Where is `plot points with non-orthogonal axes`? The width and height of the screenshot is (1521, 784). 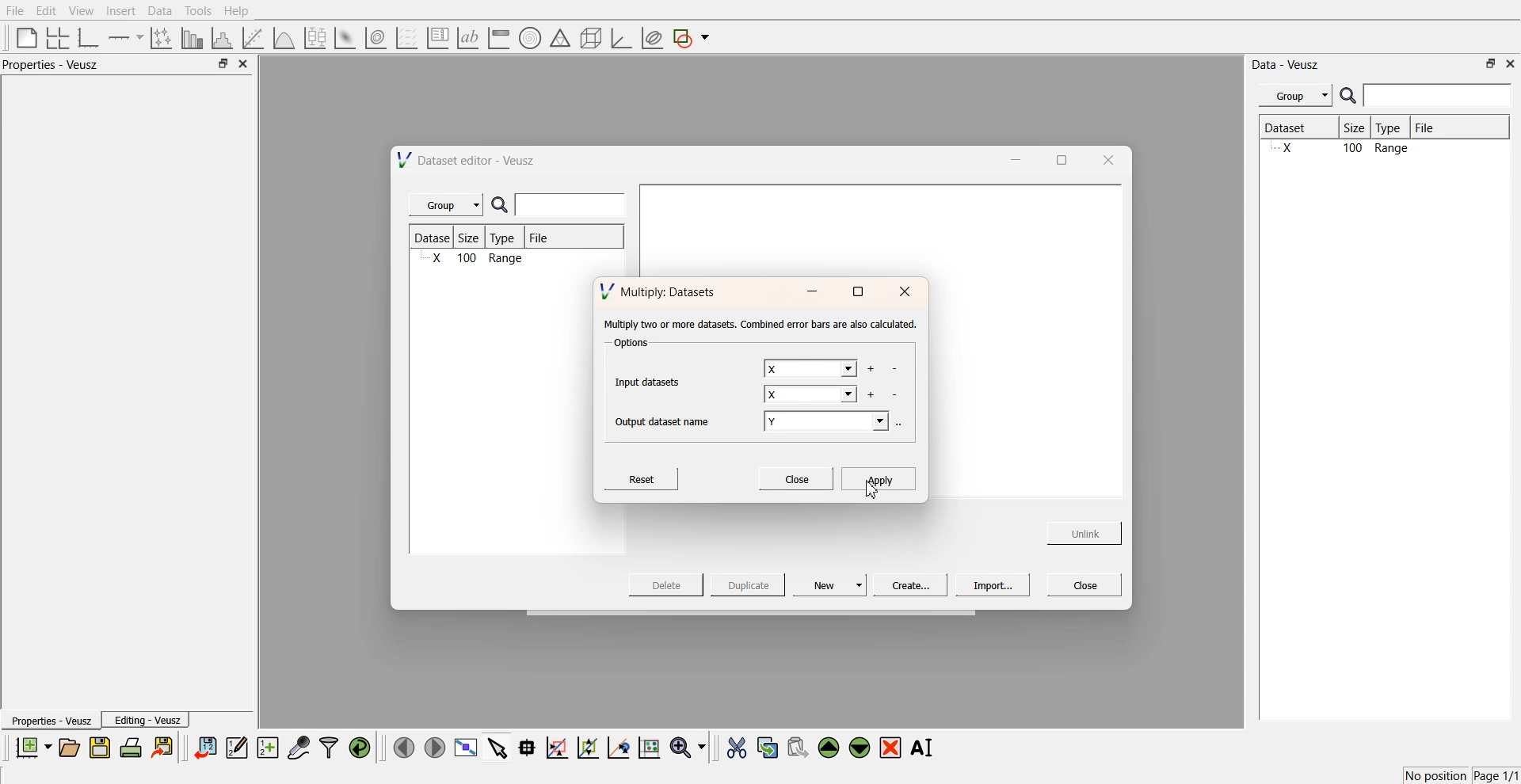
plot points with non-orthogonal axes is located at coordinates (160, 37).